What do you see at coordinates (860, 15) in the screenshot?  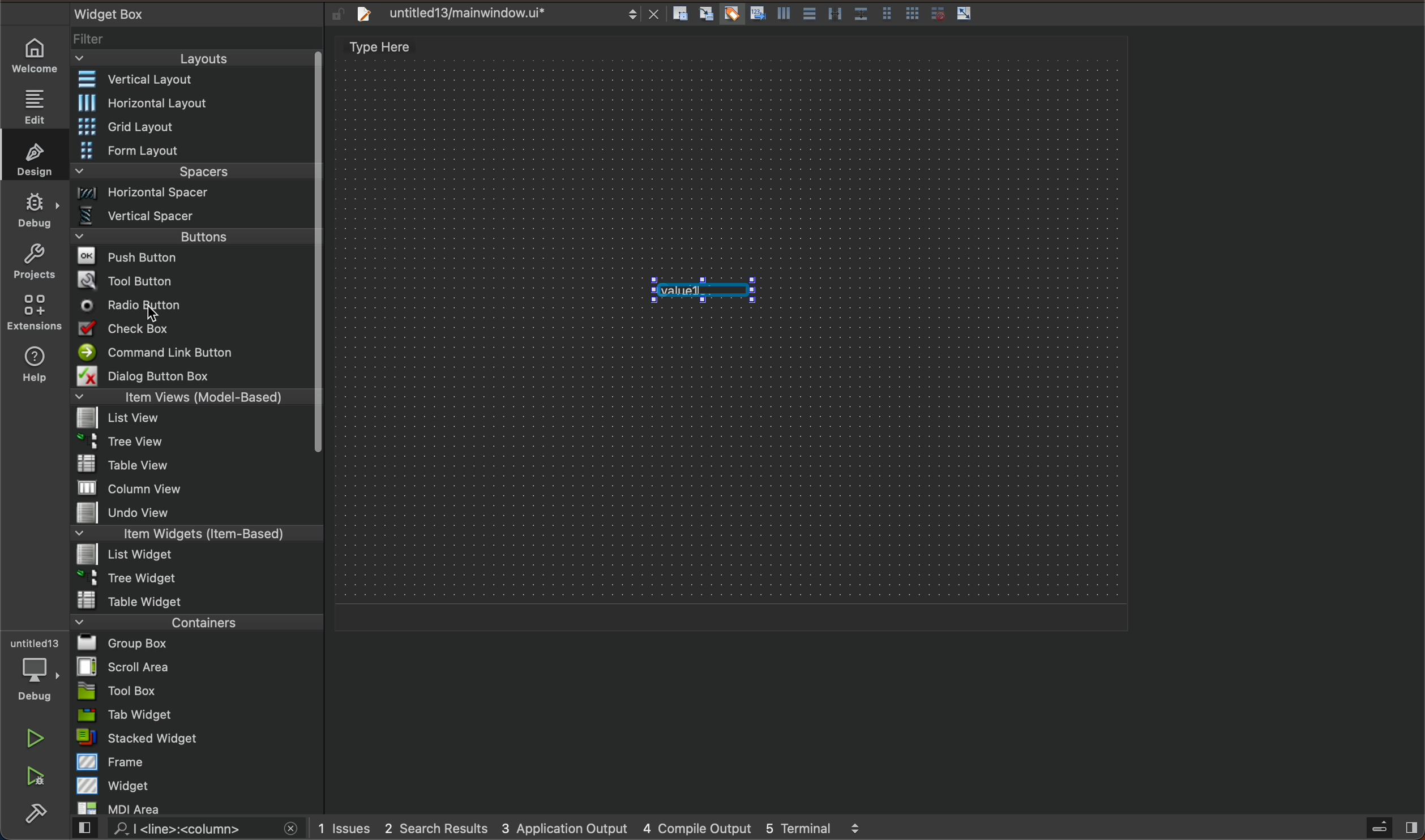 I see `` at bounding box center [860, 15].